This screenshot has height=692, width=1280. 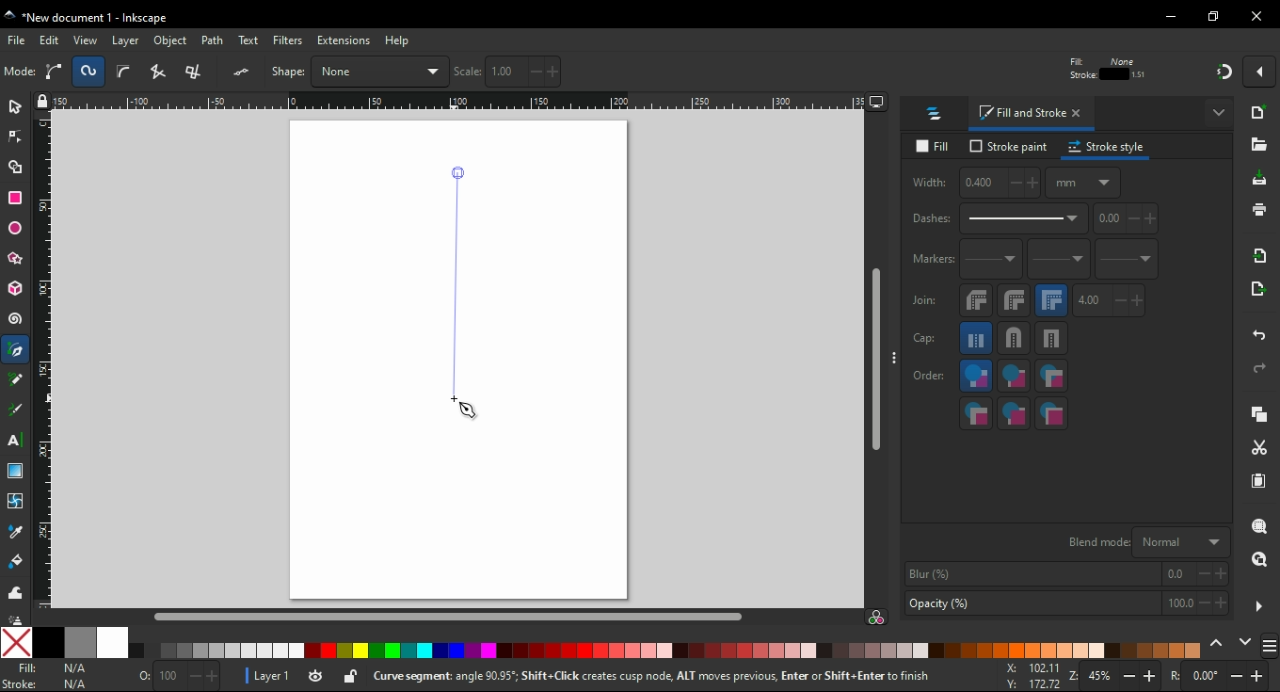 What do you see at coordinates (15, 592) in the screenshot?
I see `tweak tool` at bounding box center [15, 592].